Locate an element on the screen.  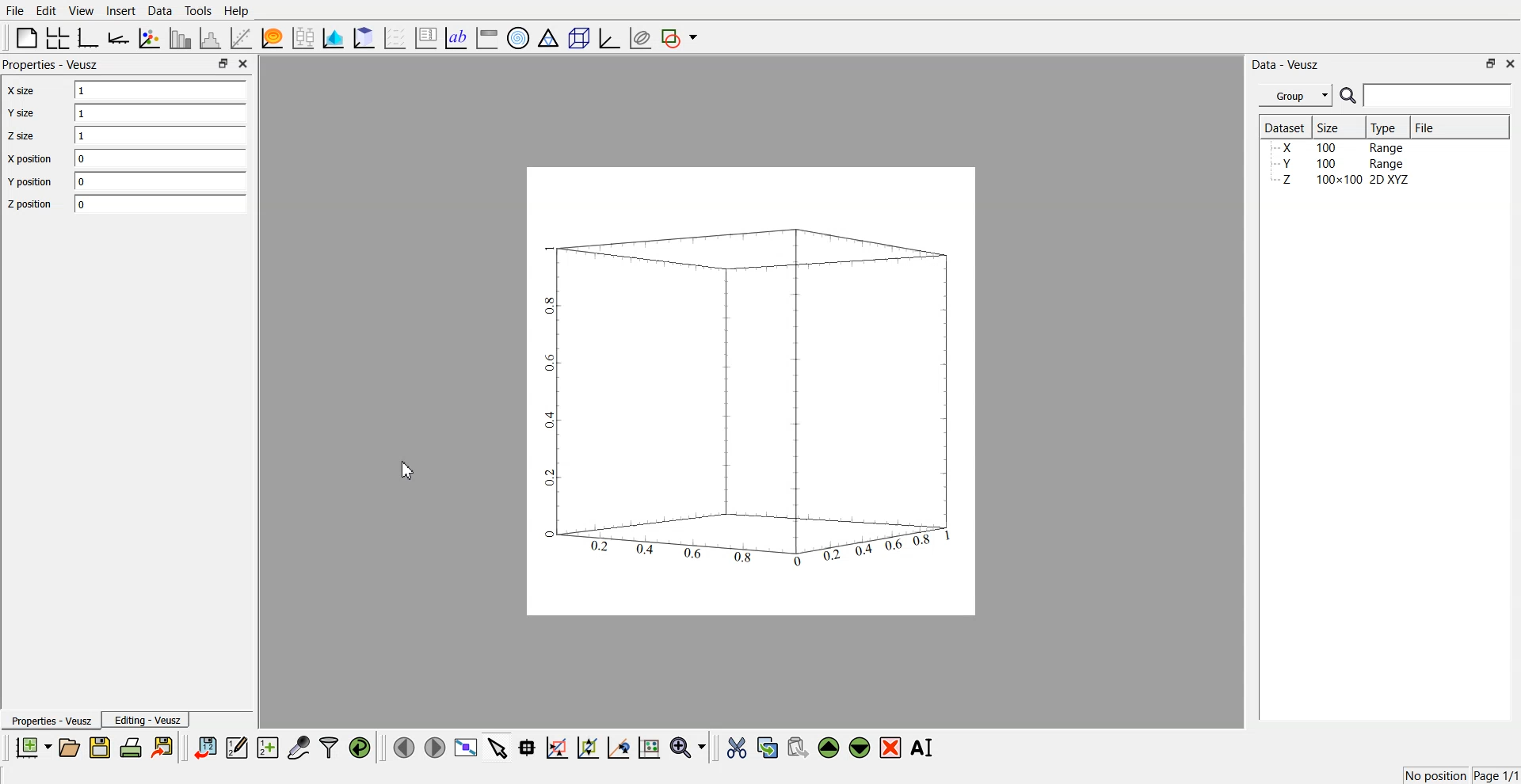
Plot bar chart is located at coordinates (179, 38).